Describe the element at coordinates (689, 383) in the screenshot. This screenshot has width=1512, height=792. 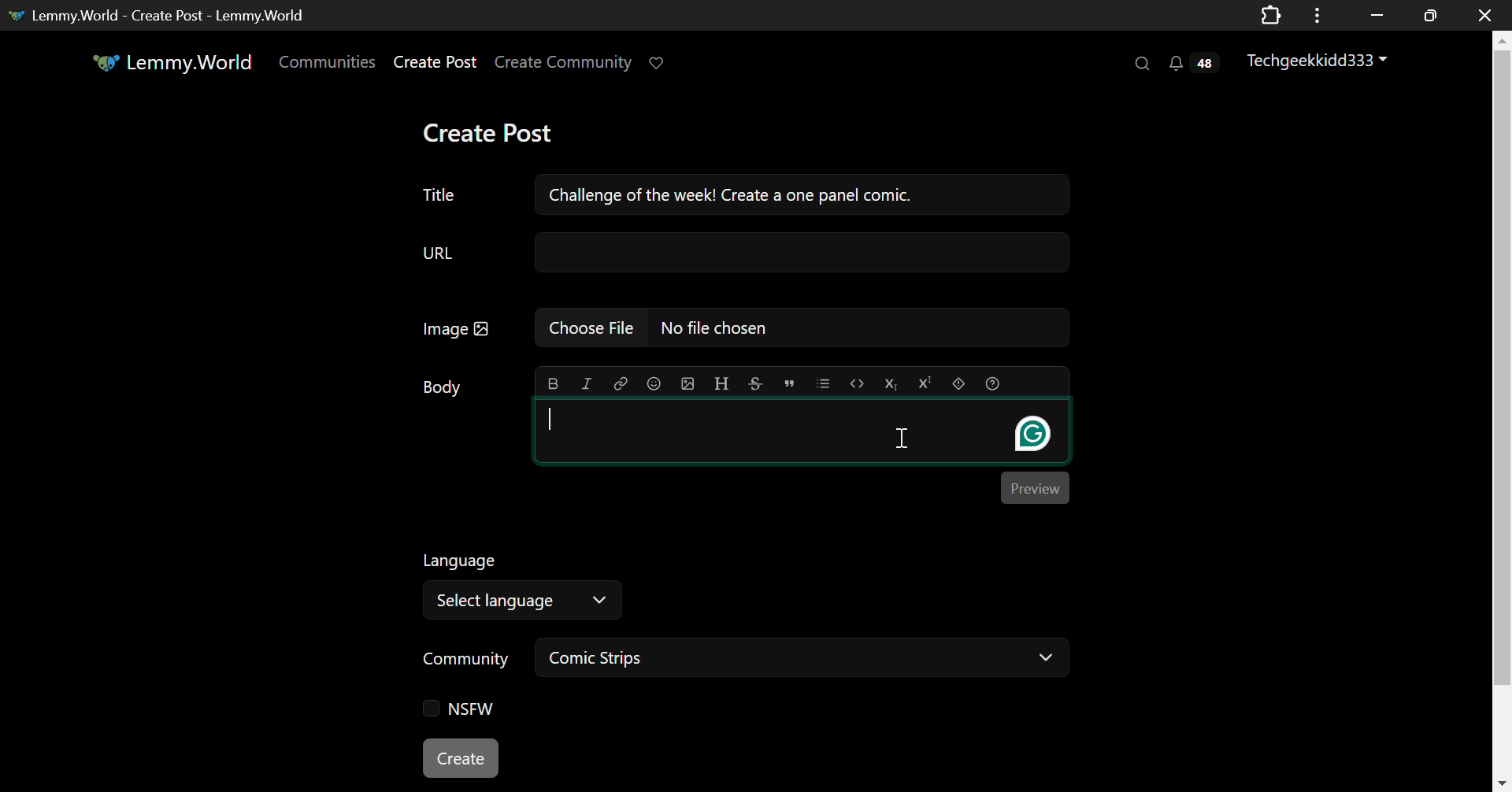
I see `upload image` at that location.